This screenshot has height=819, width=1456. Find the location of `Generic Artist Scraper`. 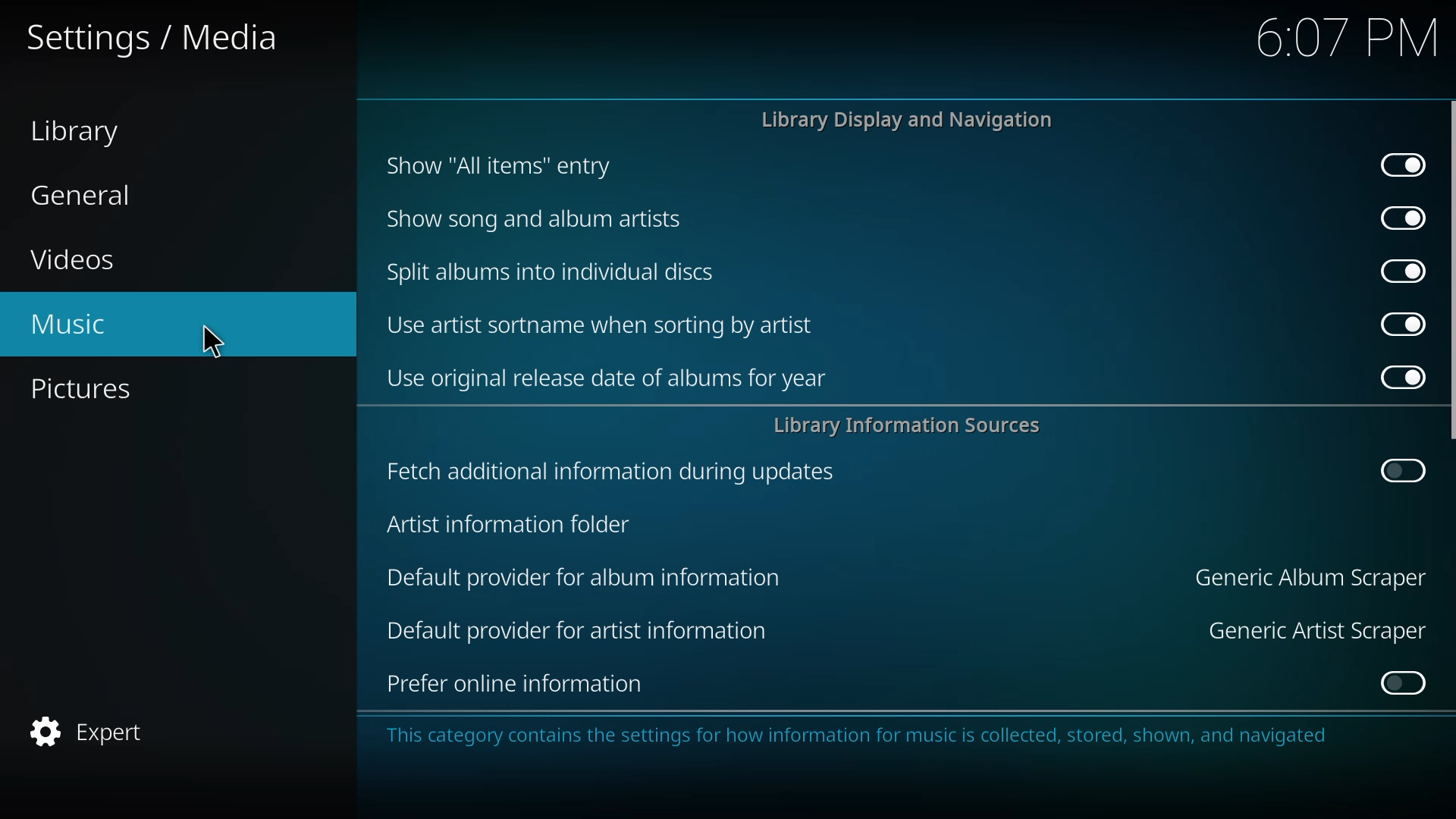

Generic Artist Scraper is located at coordinates (1307, 632).